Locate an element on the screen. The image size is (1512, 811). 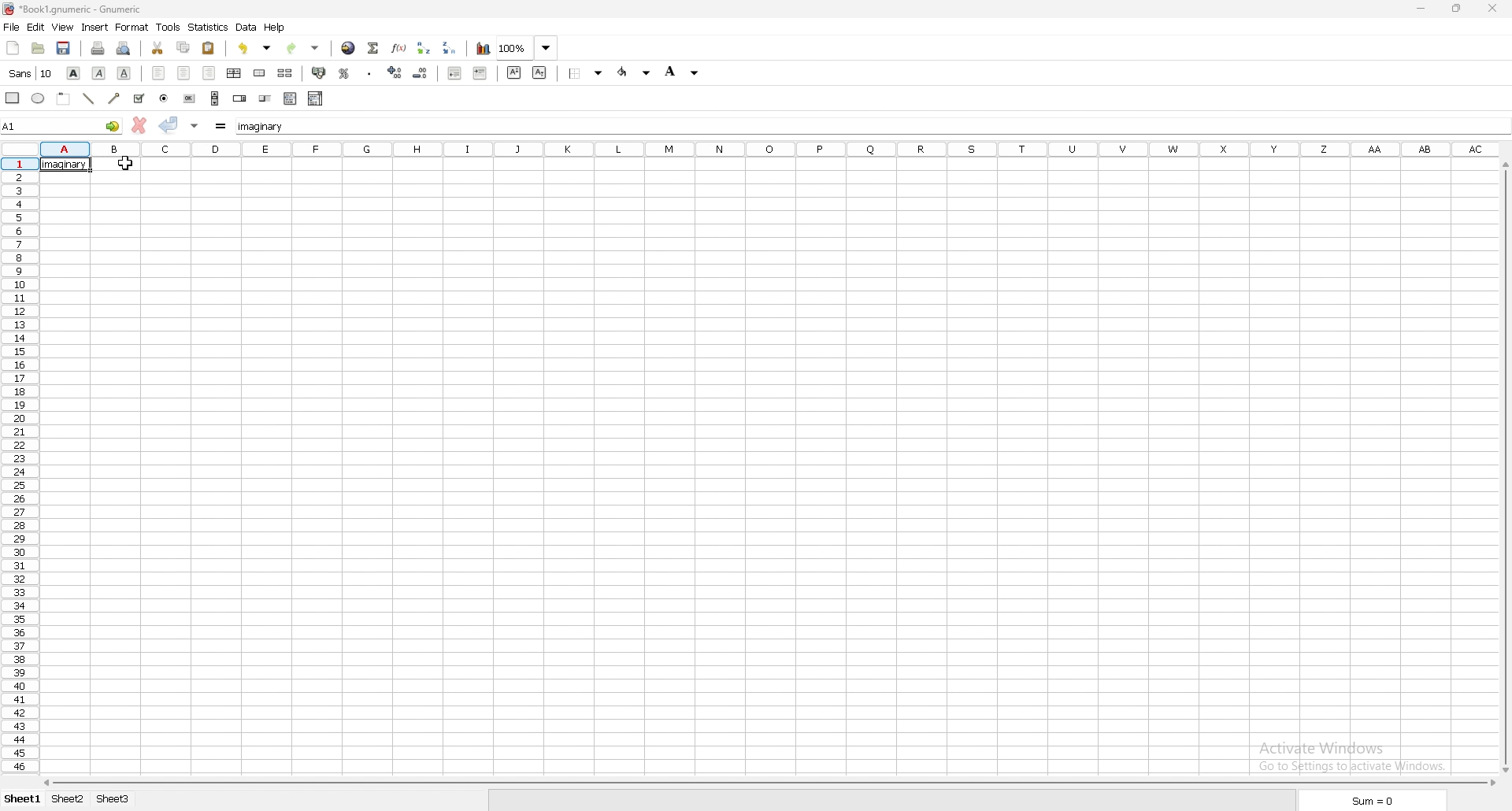
close is located at coordinates (1492, 7).